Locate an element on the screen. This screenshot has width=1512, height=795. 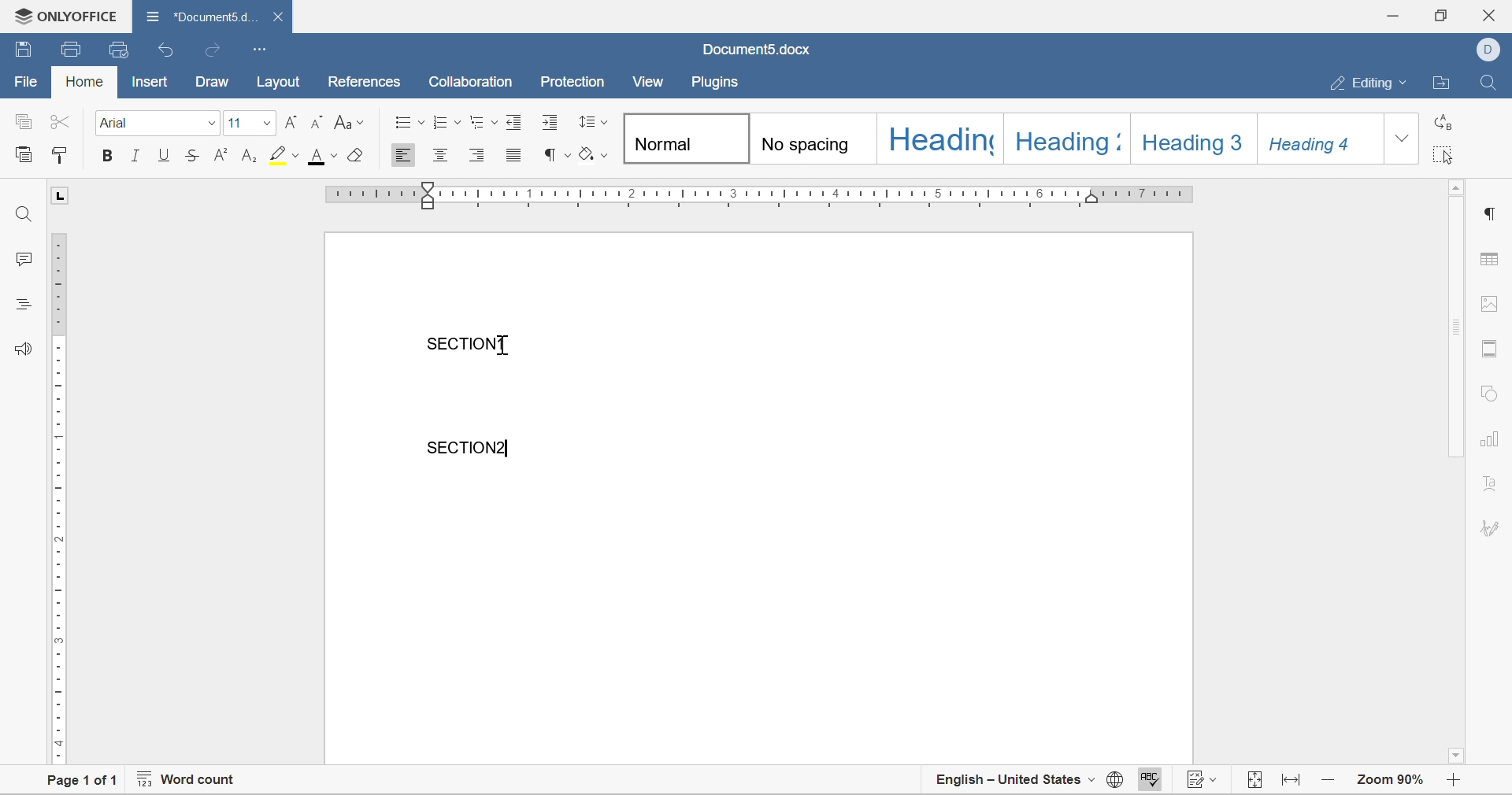
multilevel list is located at coordinates (484, 122).